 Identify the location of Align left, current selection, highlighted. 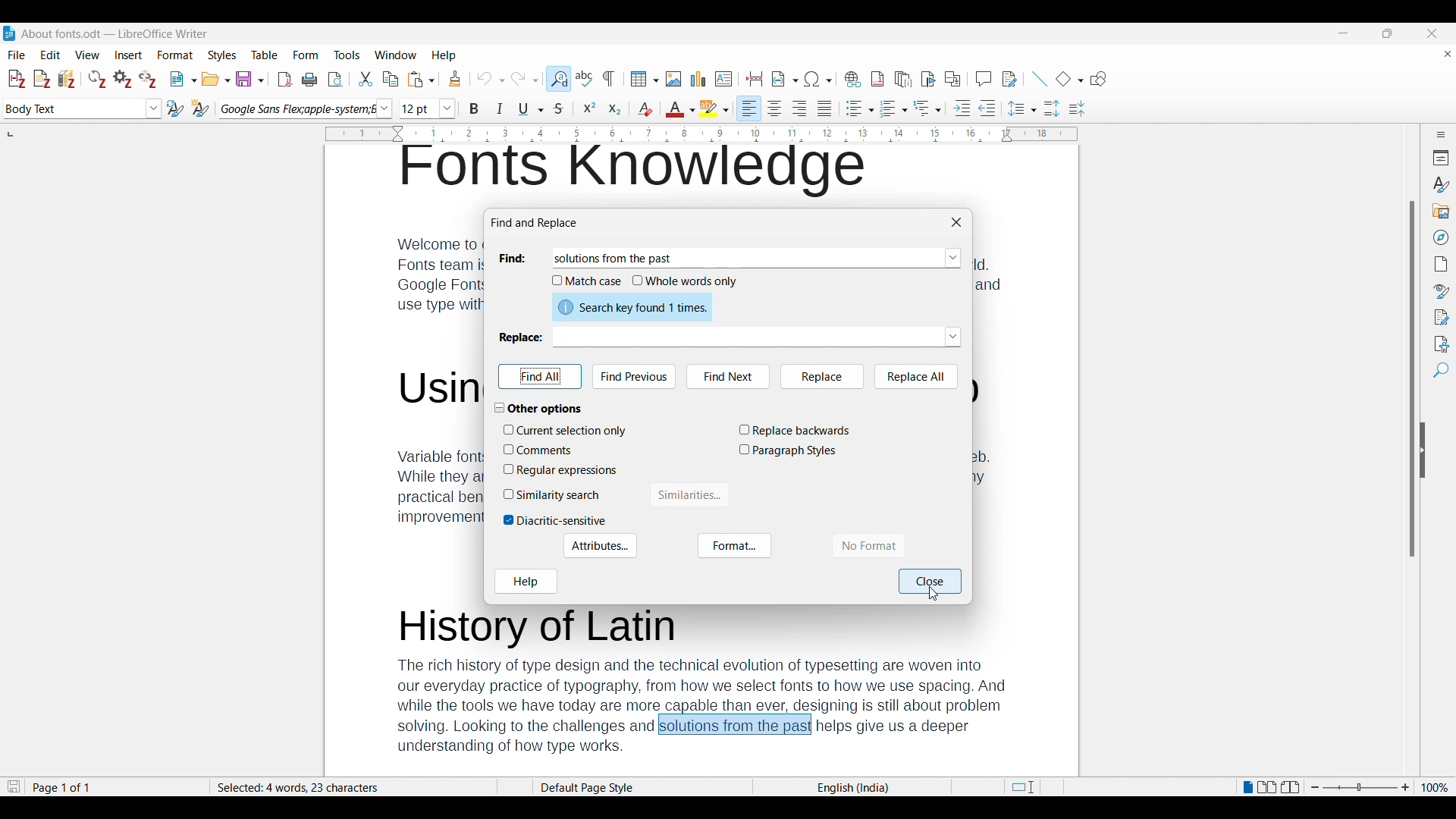
(749, 108).